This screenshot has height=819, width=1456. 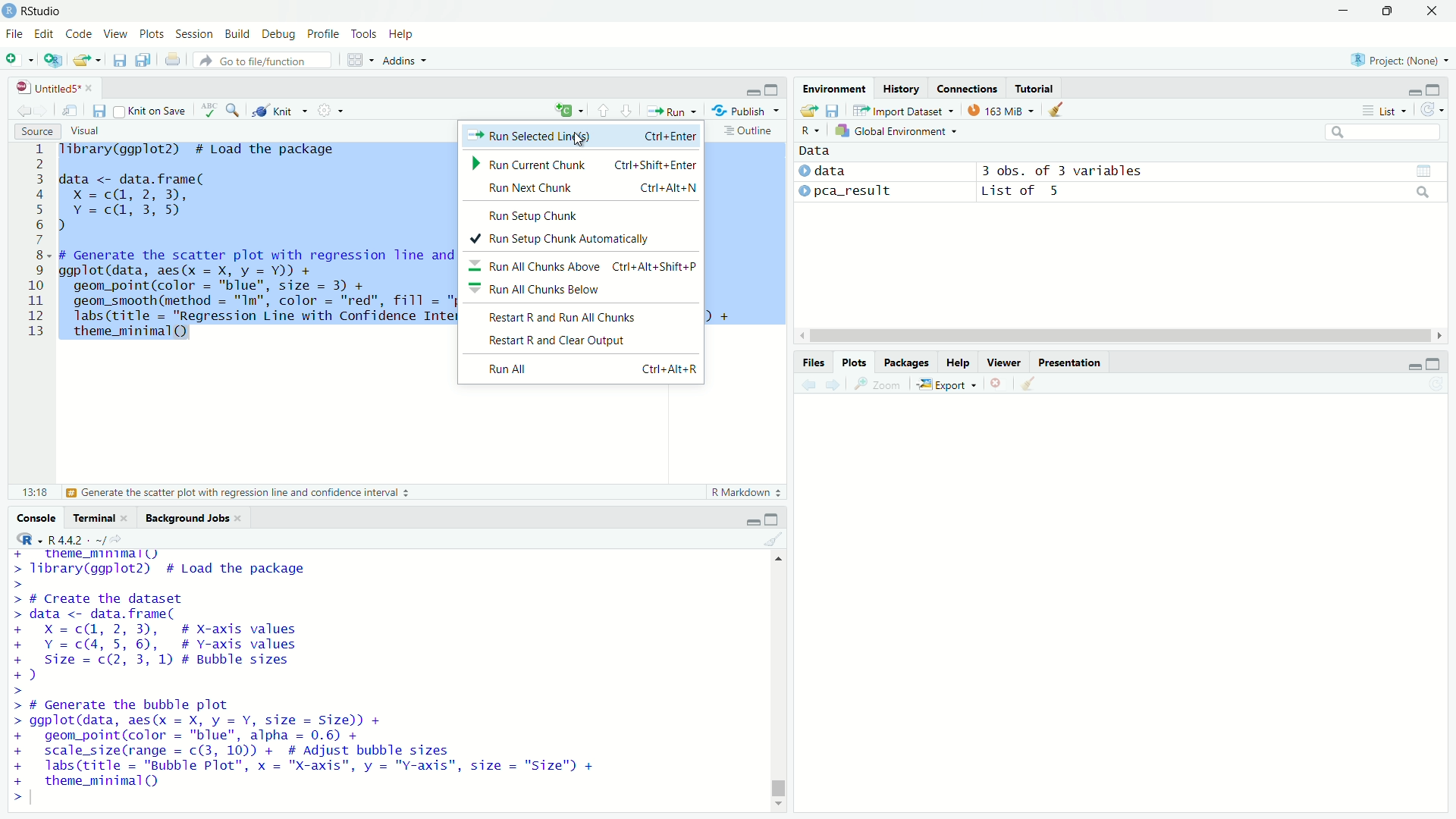 What do you see at coordinates (42, 111) in the screenshot?
I see `Go forward to next source location` at bounding box center [42, 111].